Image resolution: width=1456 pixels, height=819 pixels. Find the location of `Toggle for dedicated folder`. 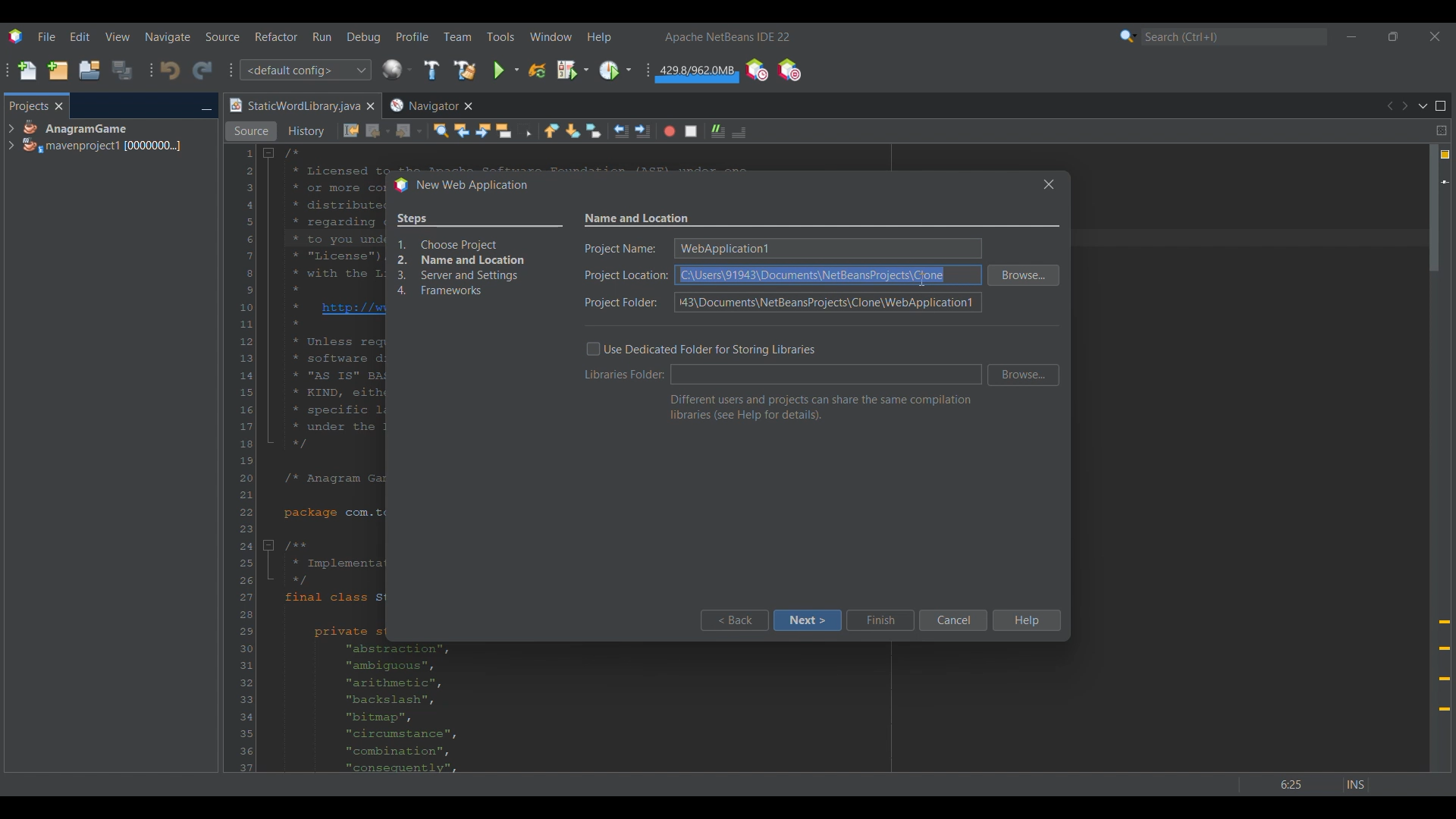

Toggle for dedicated folder is located at coordinates (701, 349).